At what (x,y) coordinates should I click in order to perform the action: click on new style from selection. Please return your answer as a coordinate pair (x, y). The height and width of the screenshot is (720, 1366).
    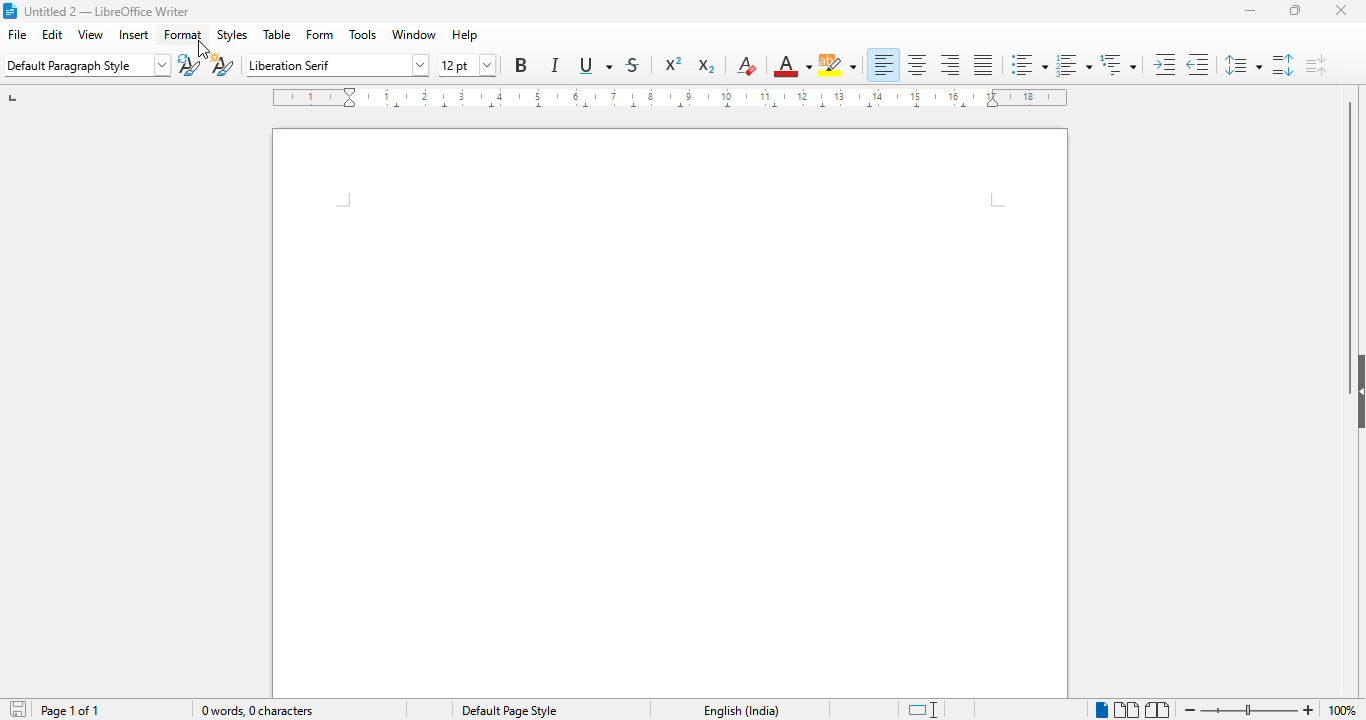
    Looking at the image, I should click on (224, 66).